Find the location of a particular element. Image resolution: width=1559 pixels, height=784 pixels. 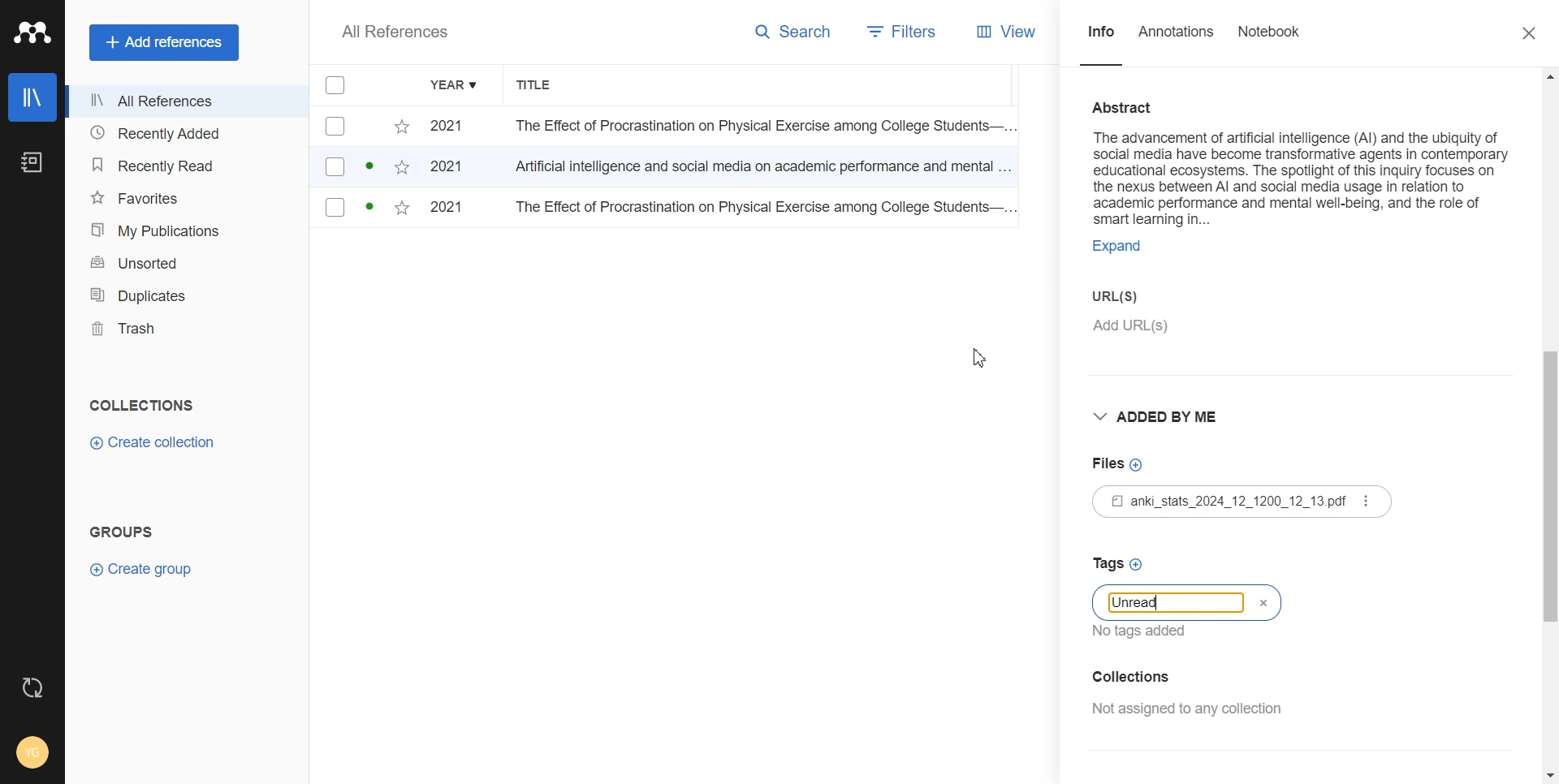

View is located at coordinates (1014, 32).